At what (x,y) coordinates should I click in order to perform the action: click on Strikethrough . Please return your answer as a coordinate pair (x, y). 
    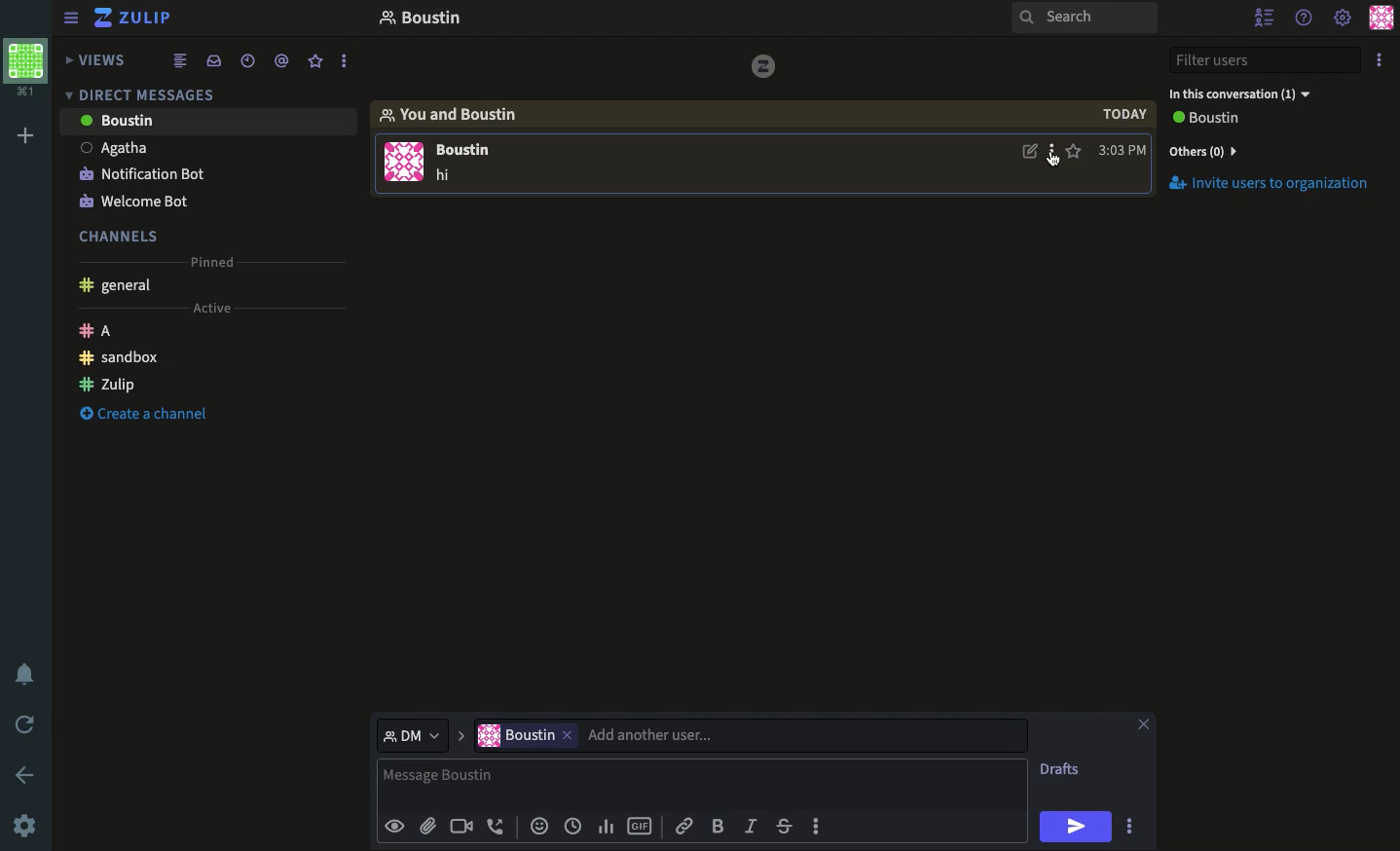
    Looking at the image, I should click on (787, 828).